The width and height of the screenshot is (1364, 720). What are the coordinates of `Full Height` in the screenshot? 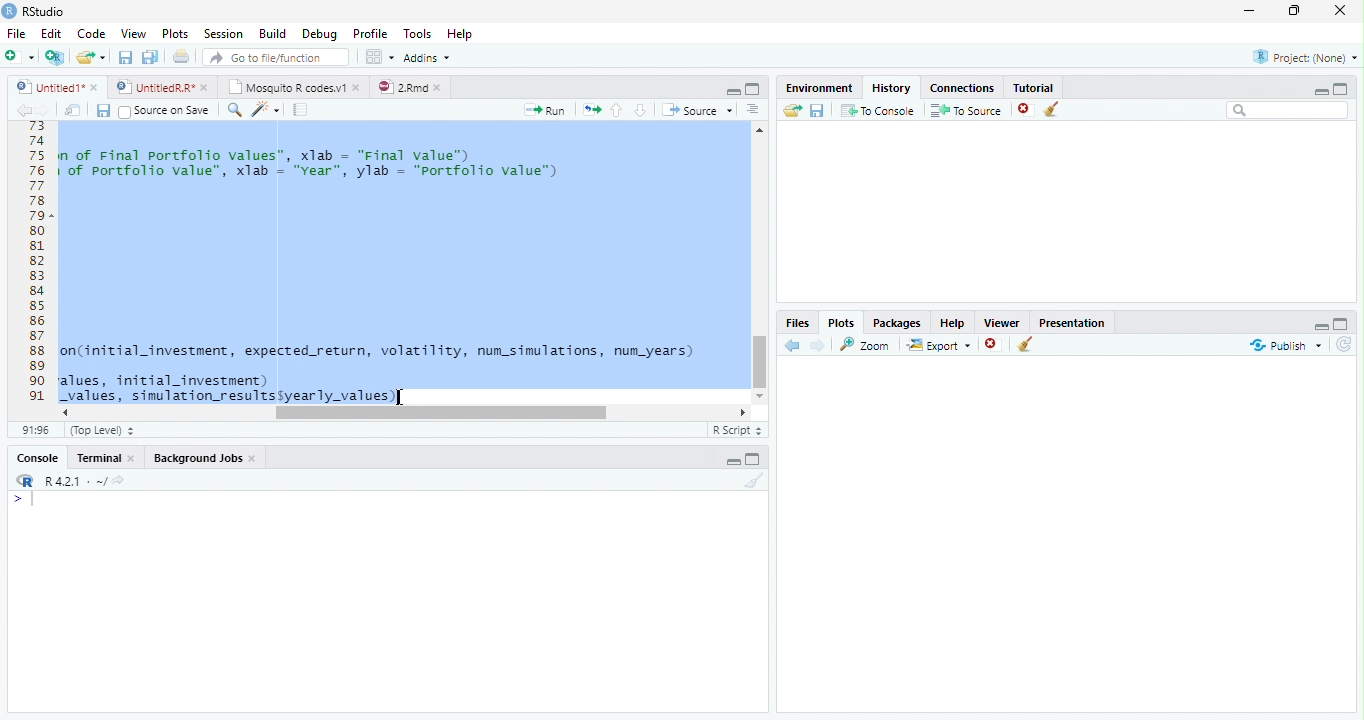 It's located at (1342, 87).